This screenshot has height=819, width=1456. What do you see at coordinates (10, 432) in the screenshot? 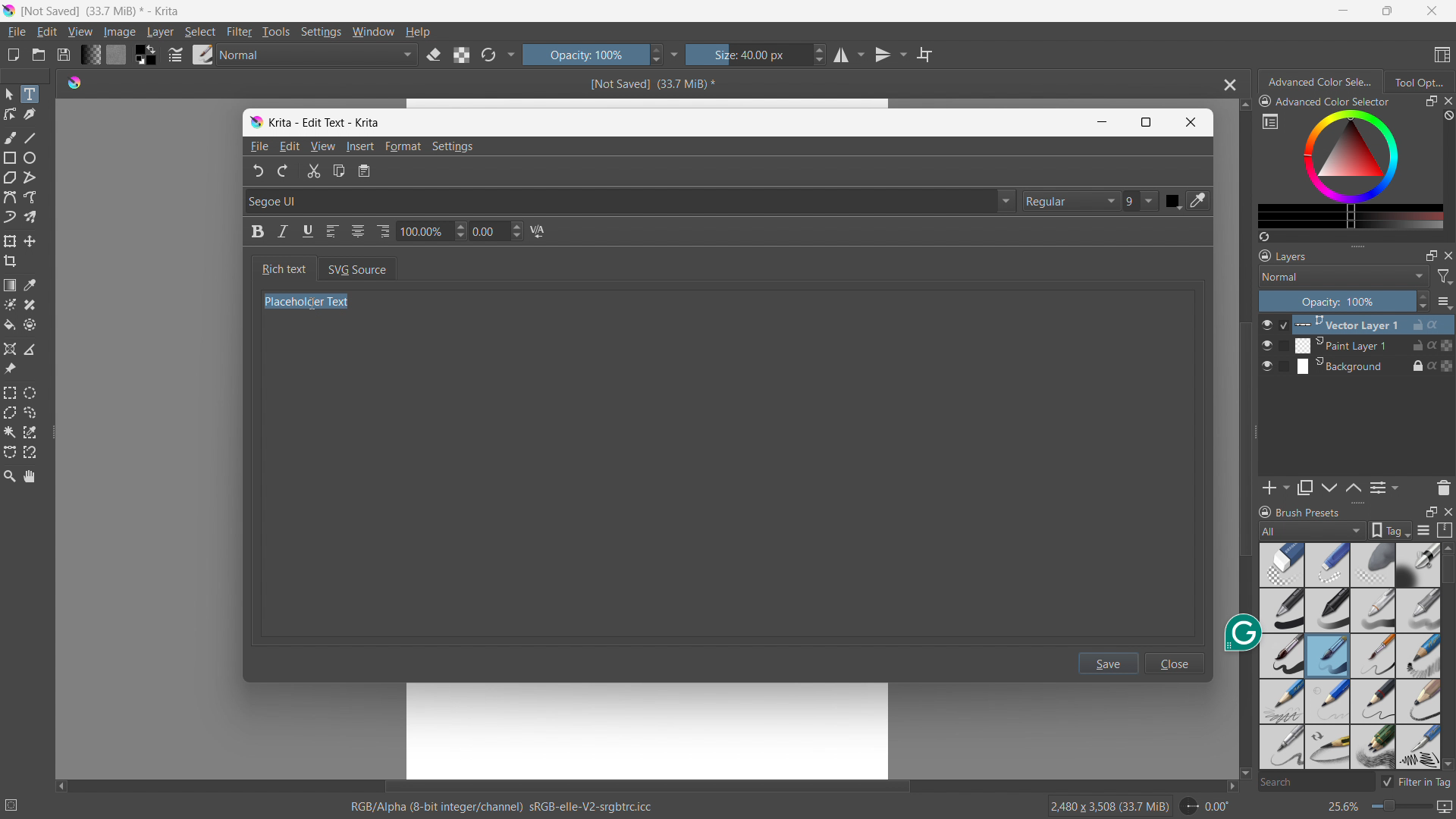
I see `contigious selection tool` at bounding box center [10, 432].